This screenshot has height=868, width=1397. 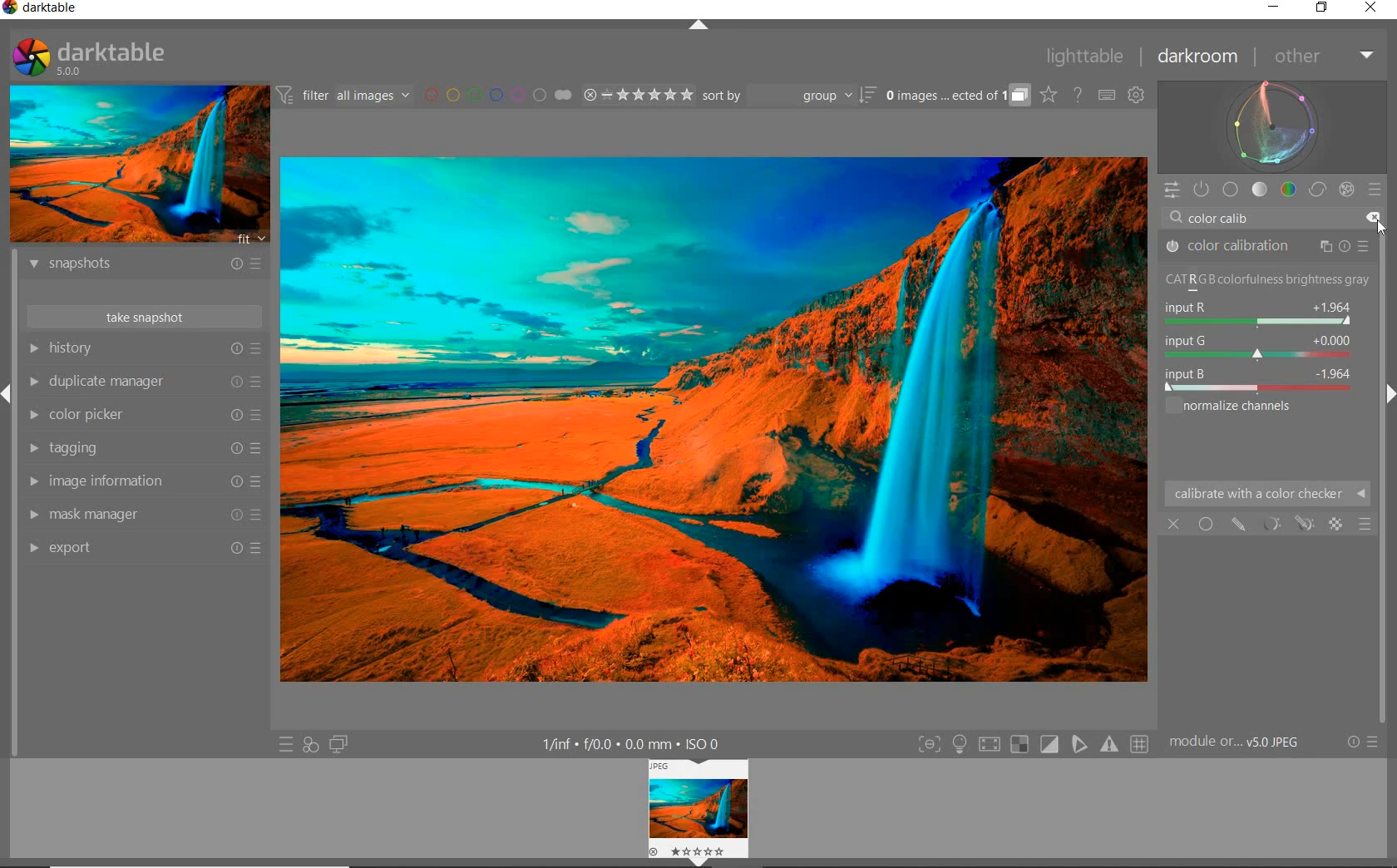 What do you see at coordinates (1198, 57) in the screenshot?
I see `darkroom` at bounding box center [1198, 57].